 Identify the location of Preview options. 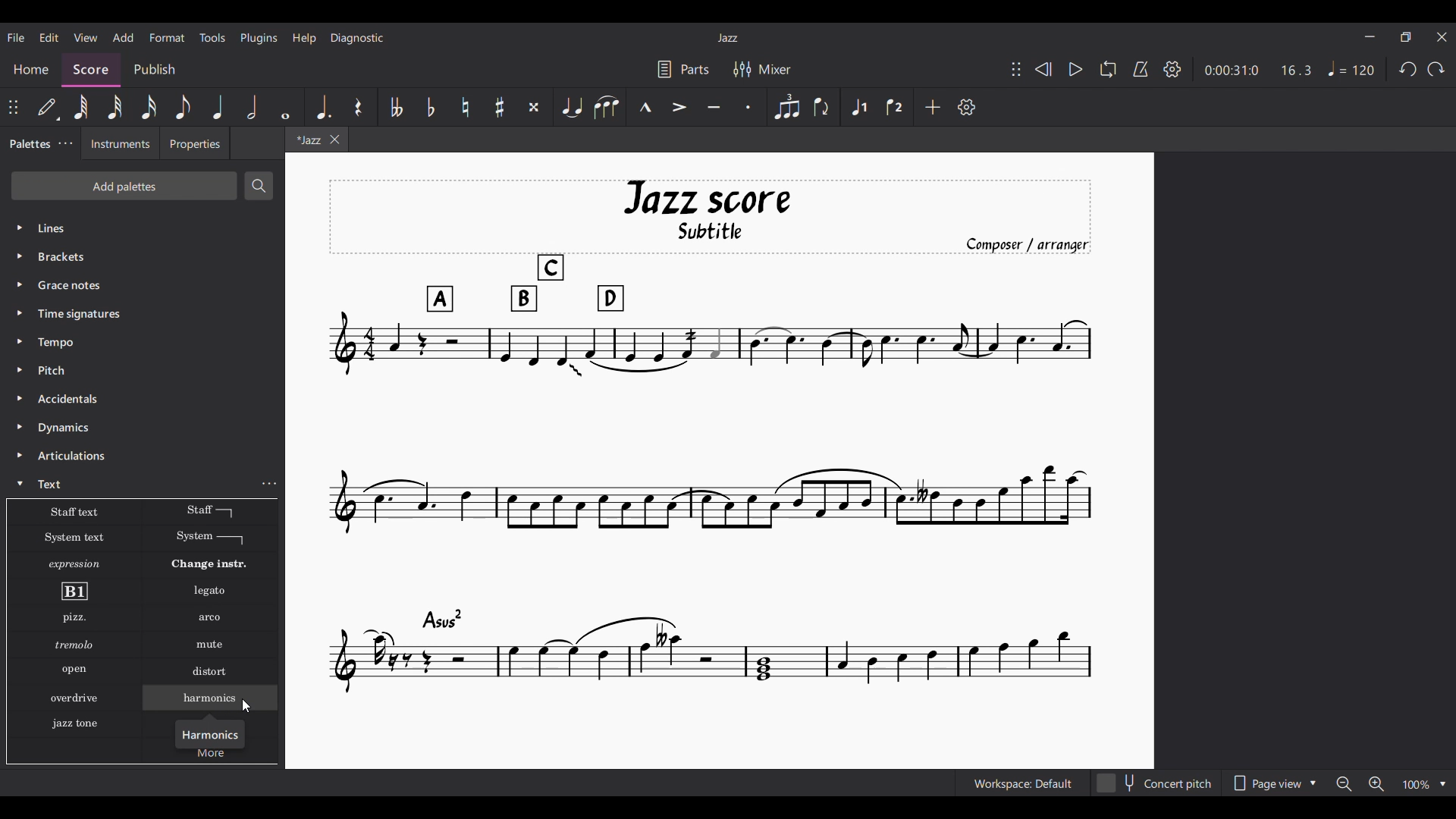
(1275, 783).